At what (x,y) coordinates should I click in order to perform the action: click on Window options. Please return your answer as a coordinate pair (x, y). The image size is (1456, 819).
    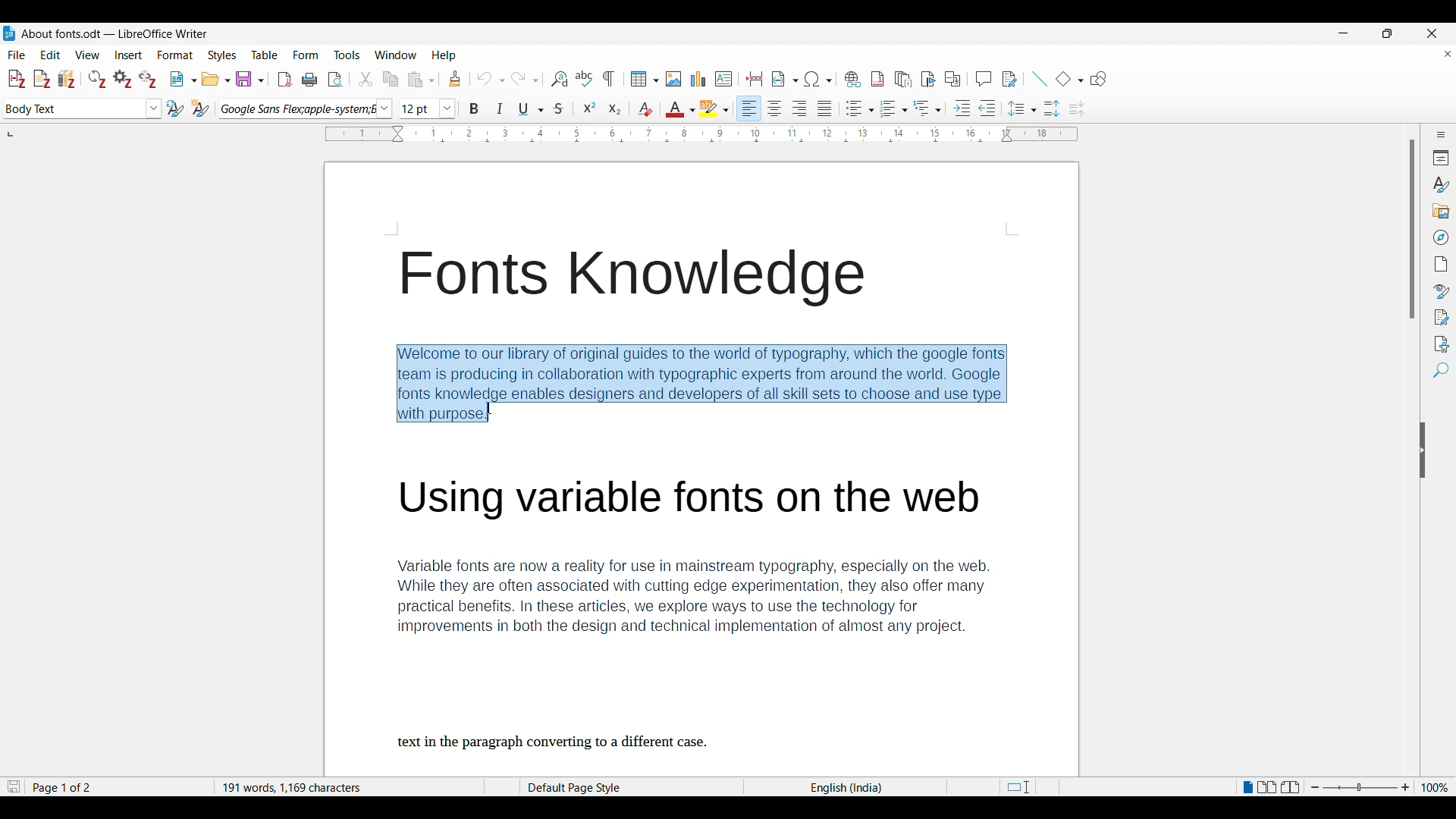
    Looking at the image, I should click on (396, 55).